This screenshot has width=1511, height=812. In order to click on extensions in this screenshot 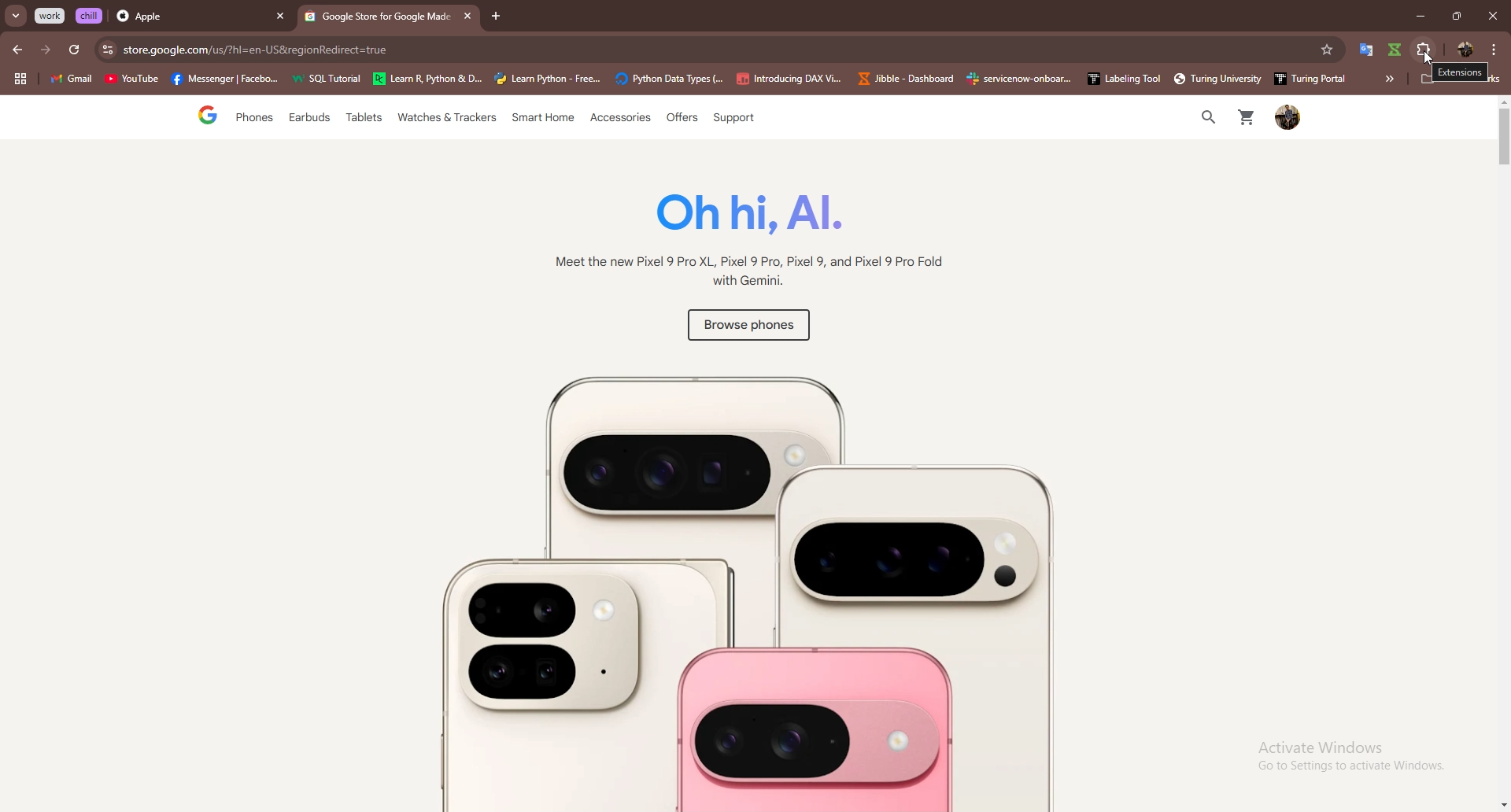, I will do `click(1461, 72)`.